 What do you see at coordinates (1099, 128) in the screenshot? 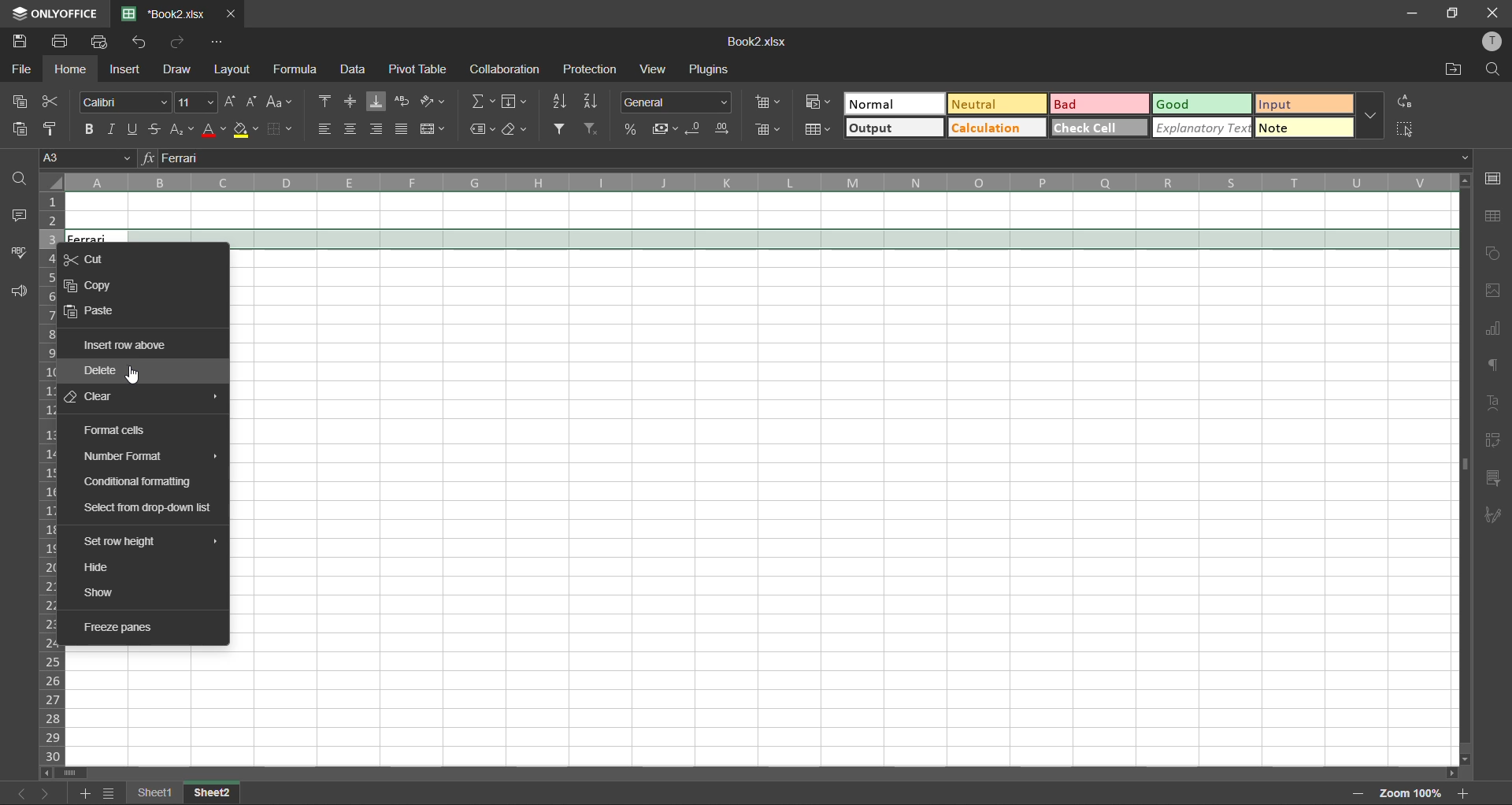
I see `check cell` at bounding box center [1099, 128].